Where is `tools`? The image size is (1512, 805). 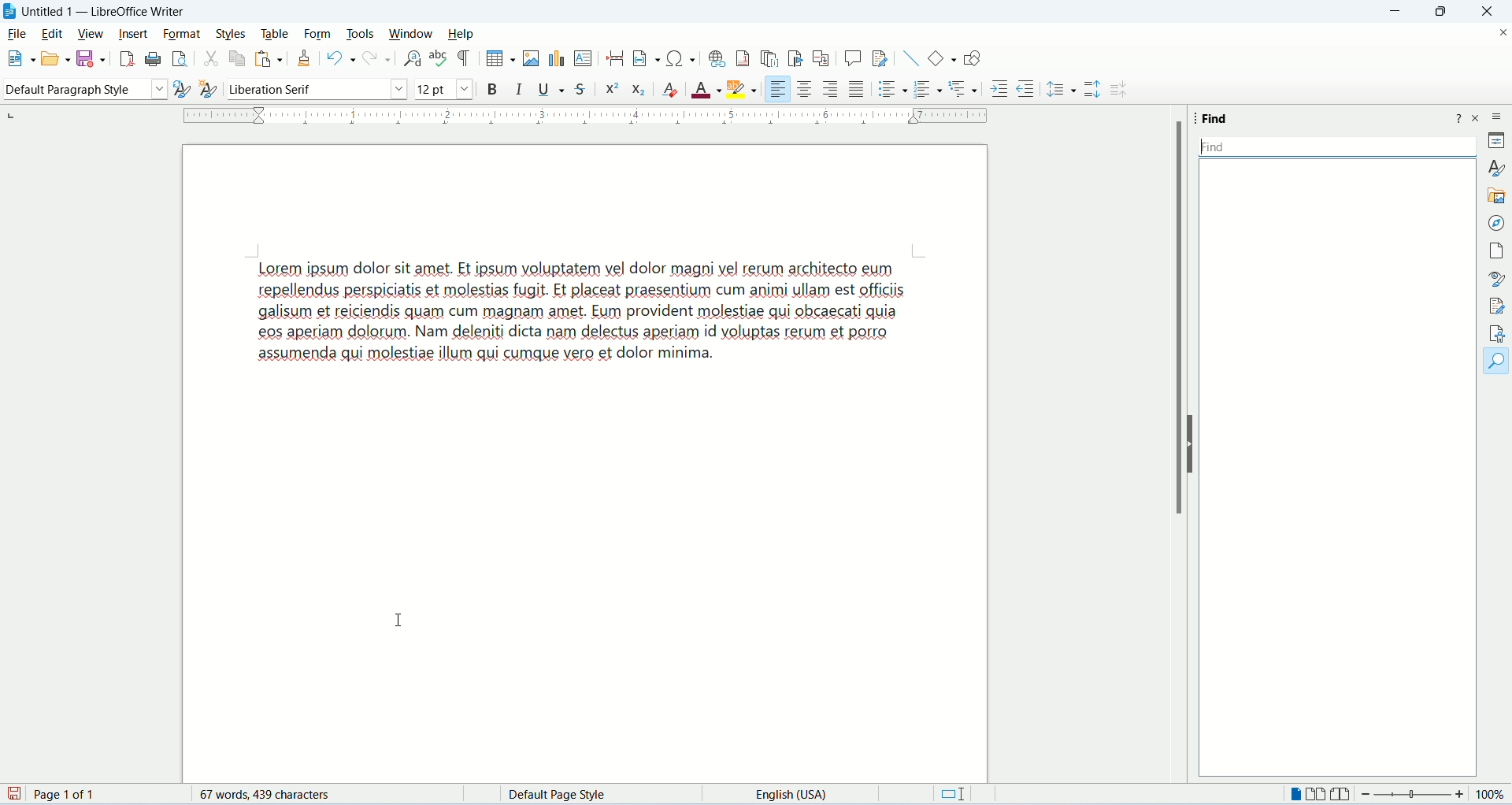 tools is located at coordinates (361, 33).